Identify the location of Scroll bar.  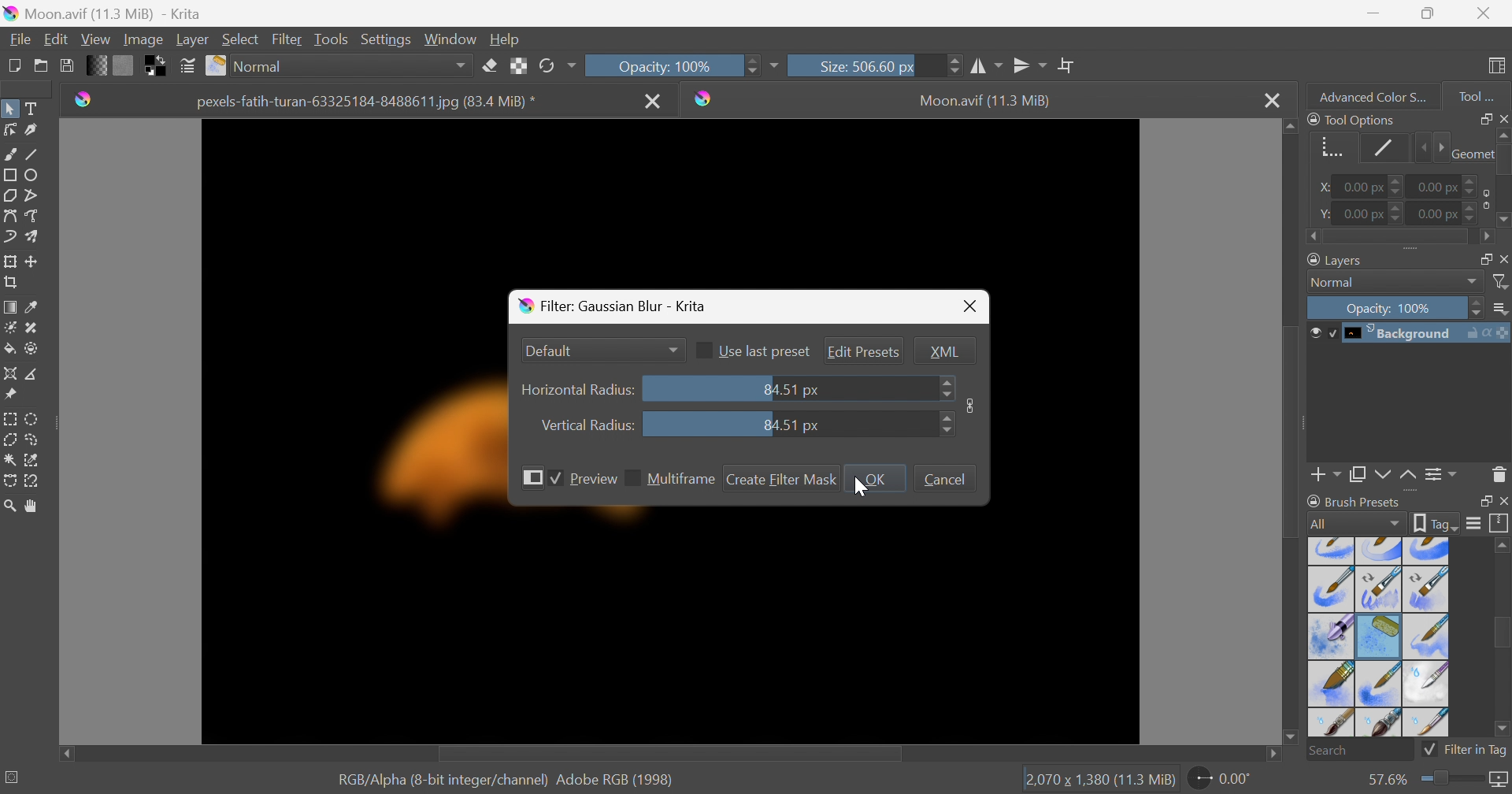
(1293, 431).